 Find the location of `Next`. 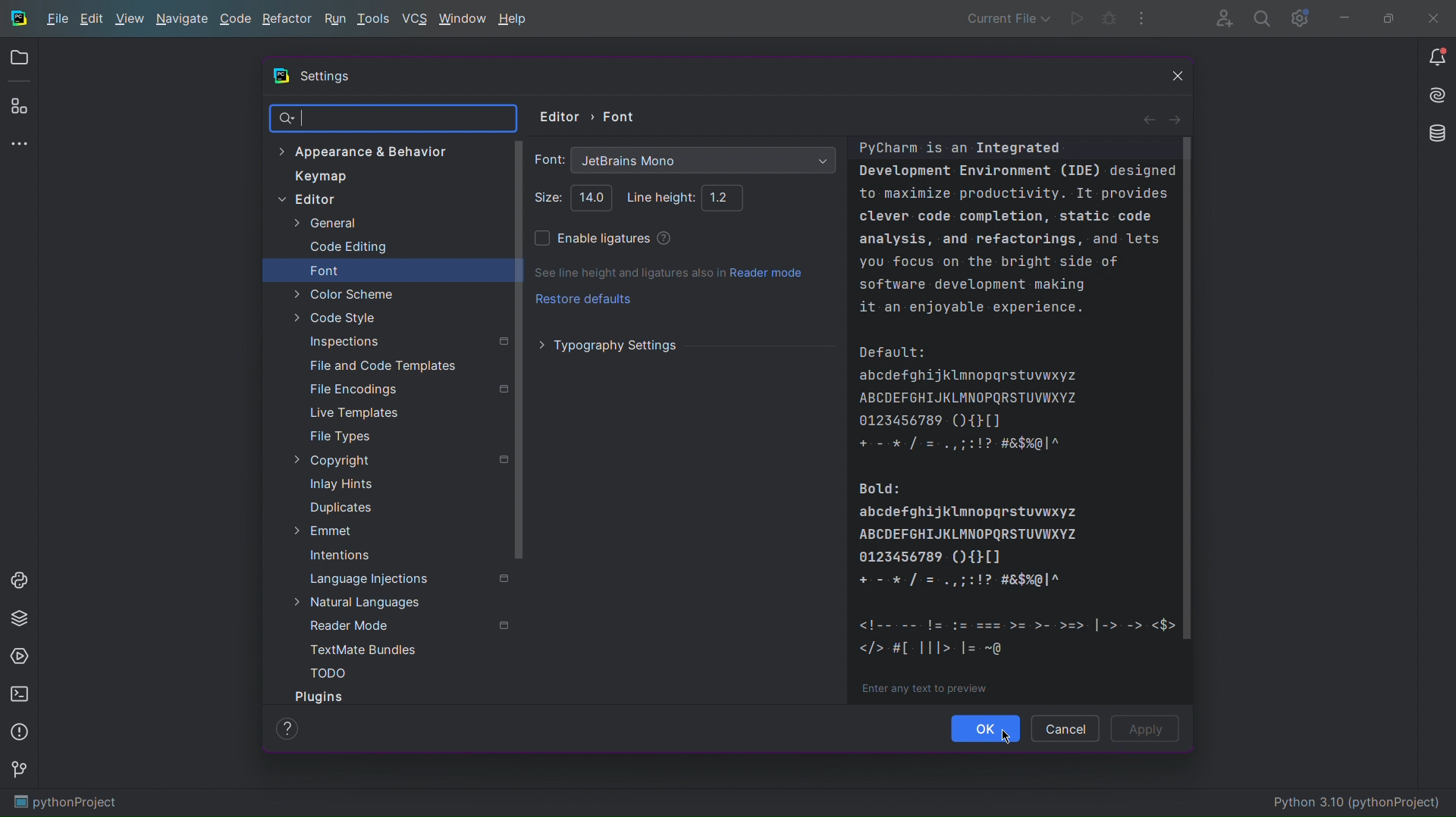

Next is located at coordinates (1178, 117).